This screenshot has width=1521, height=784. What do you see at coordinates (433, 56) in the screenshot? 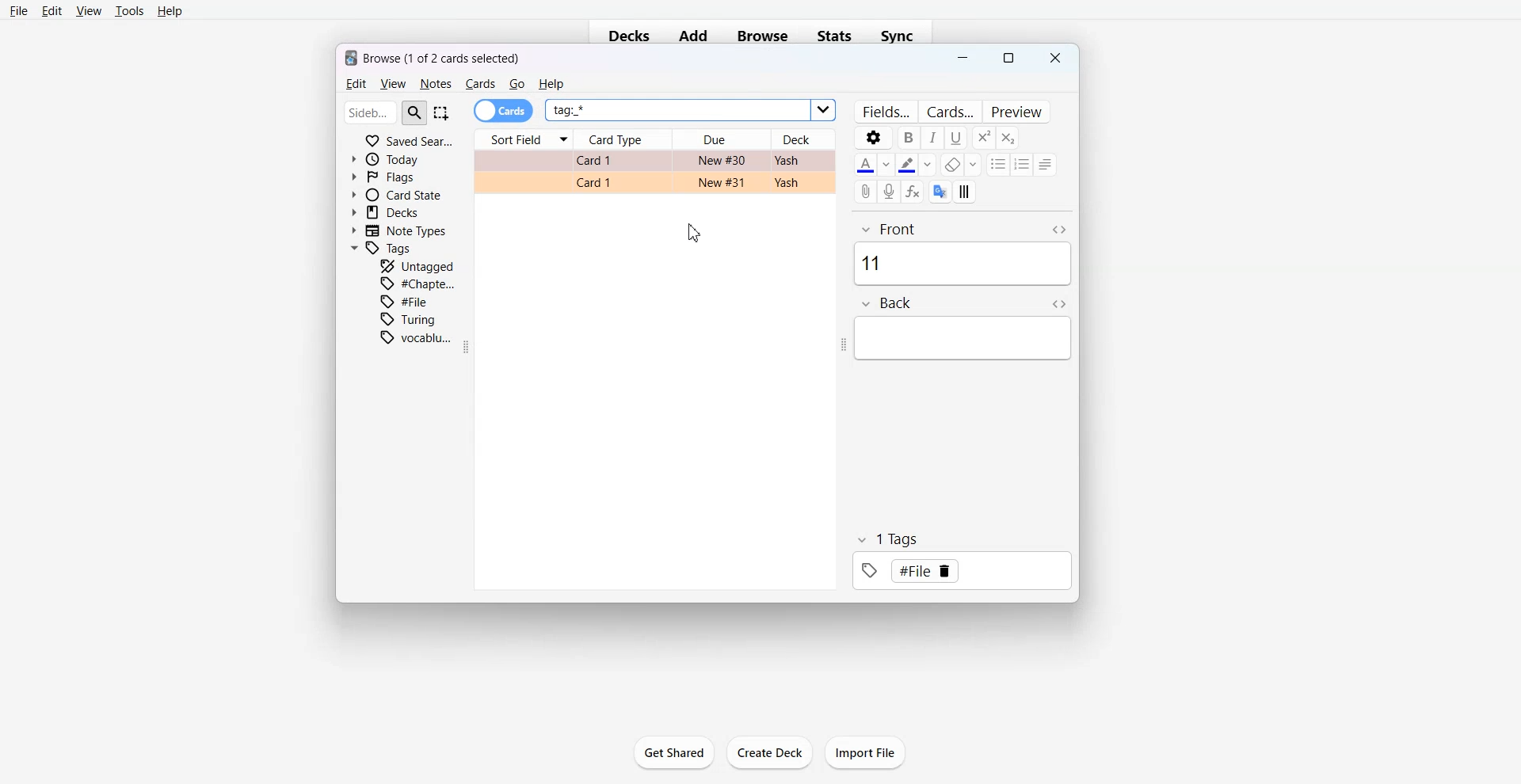
I see `Text` at bounding box center [433, 56].